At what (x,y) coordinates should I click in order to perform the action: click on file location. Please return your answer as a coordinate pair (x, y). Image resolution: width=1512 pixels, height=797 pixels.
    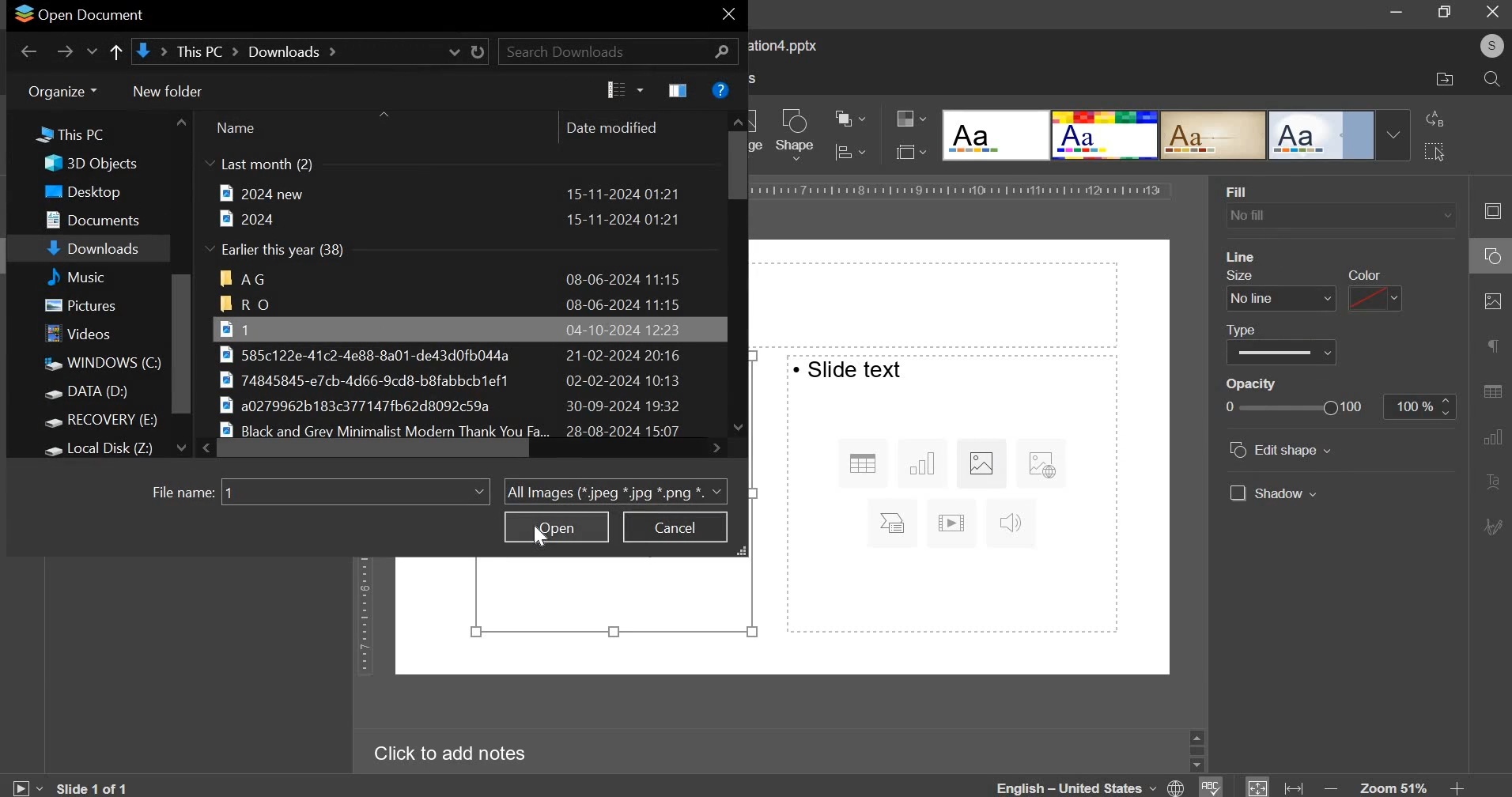
    Looking at the image, I should click on (1445, 80).